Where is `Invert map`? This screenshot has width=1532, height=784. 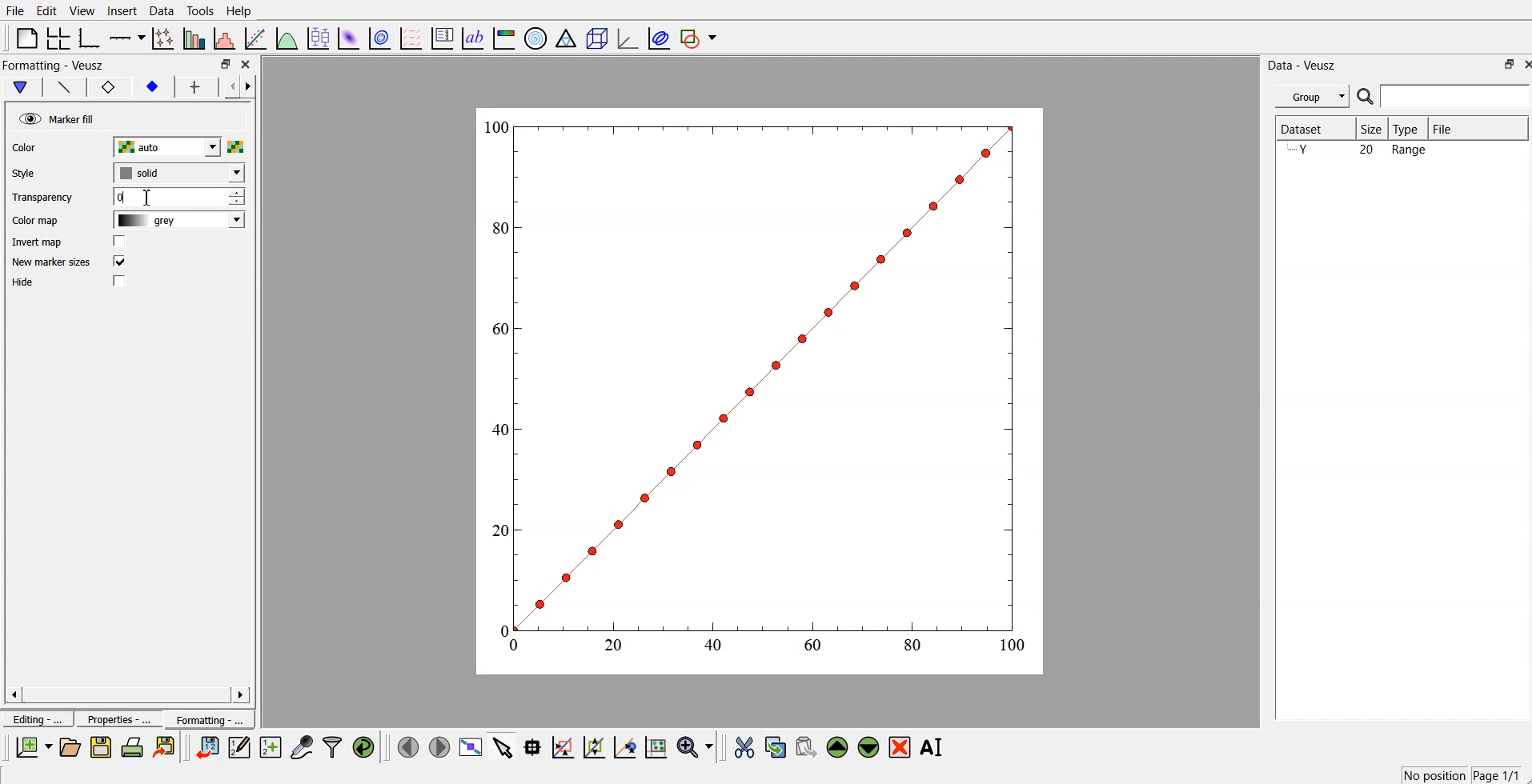
Invert map is located at coordinates (38, 242).